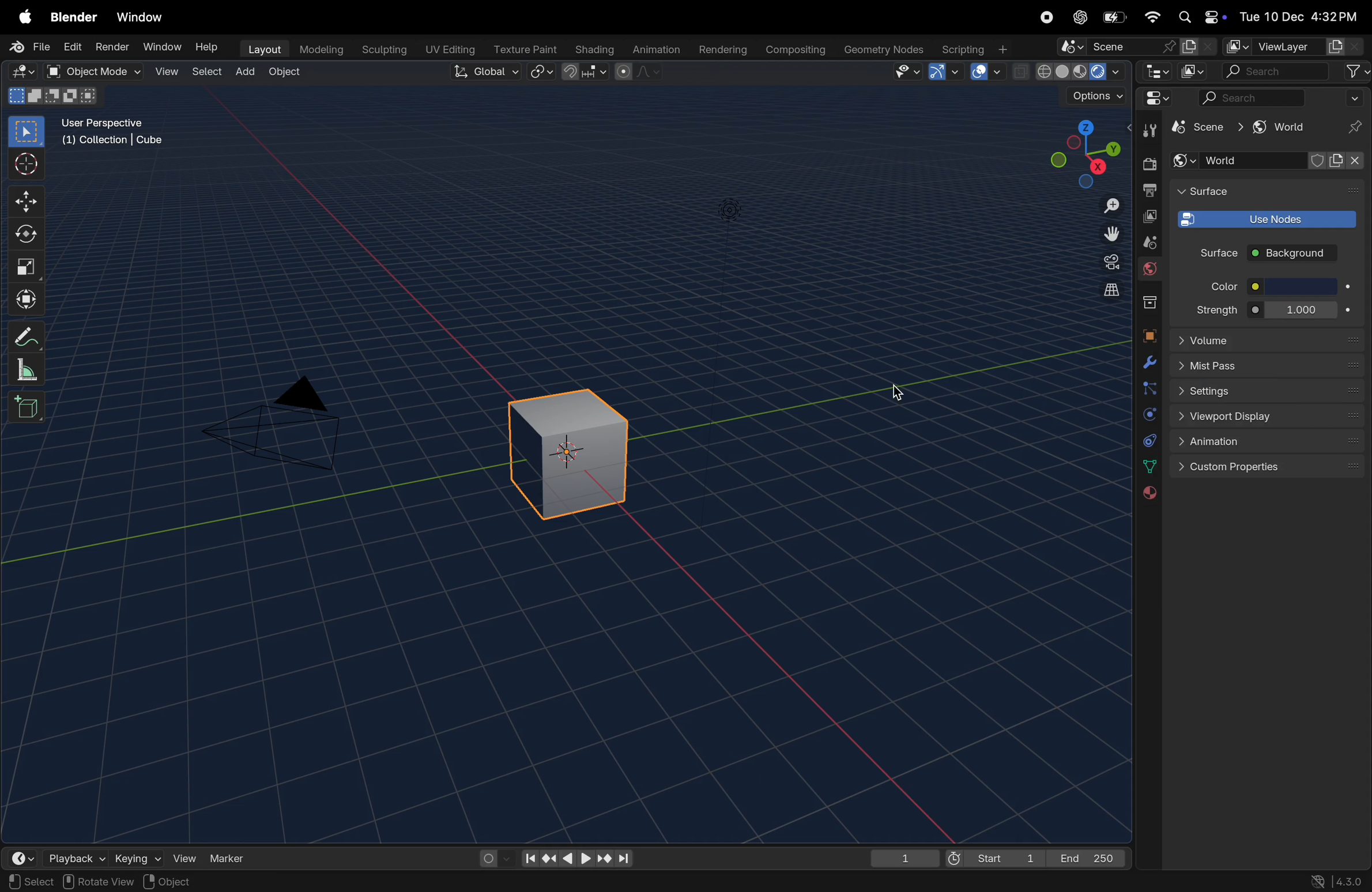 The height and width of the screenshot is (892, 1372). Describe the element at coordinates (161, 47) in the screenshot. I see `Window` at that location.